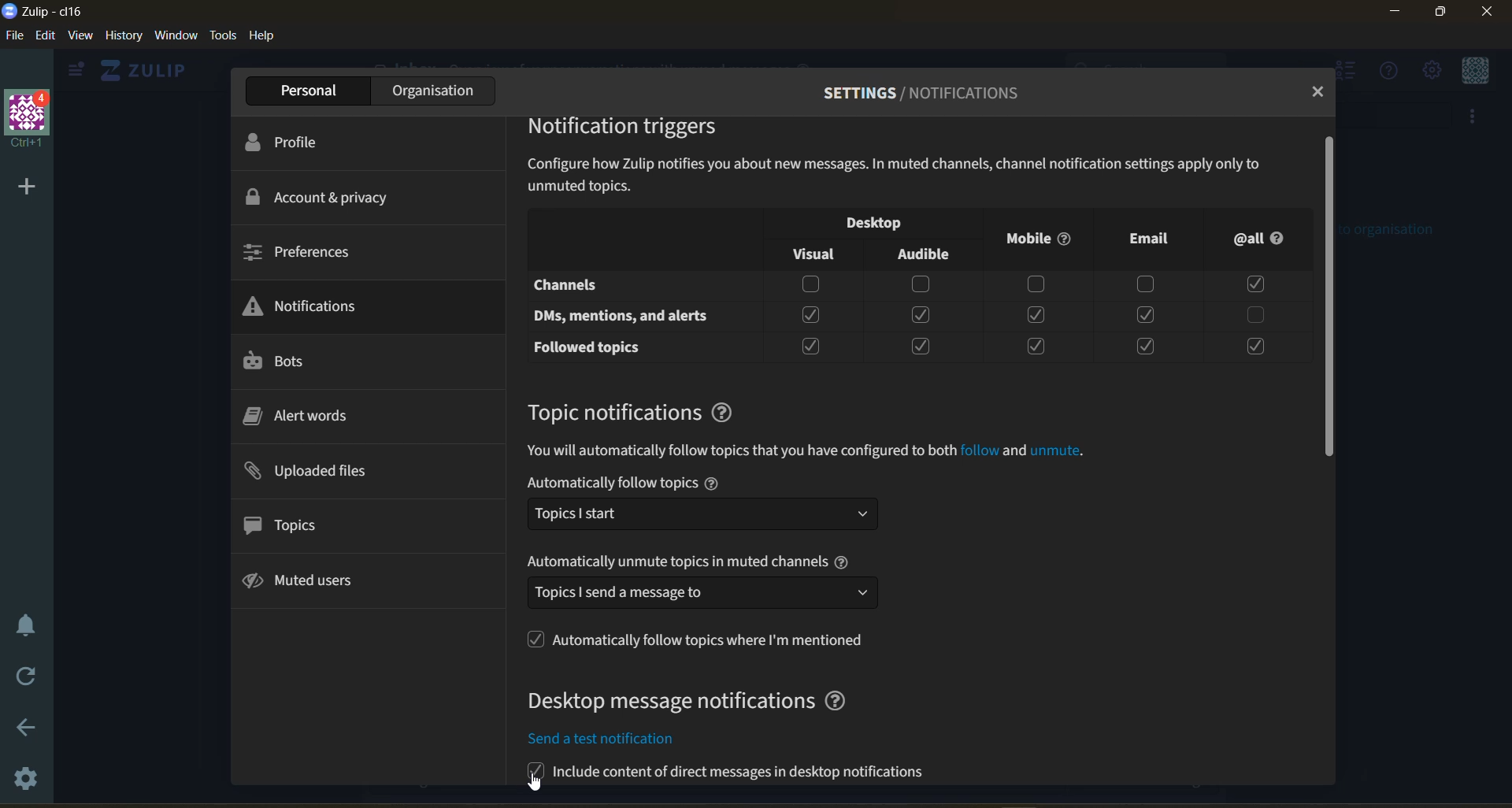  Describe the element at coordinates (1259, 345) in the screenshot. I see `Checkbox` at that location.